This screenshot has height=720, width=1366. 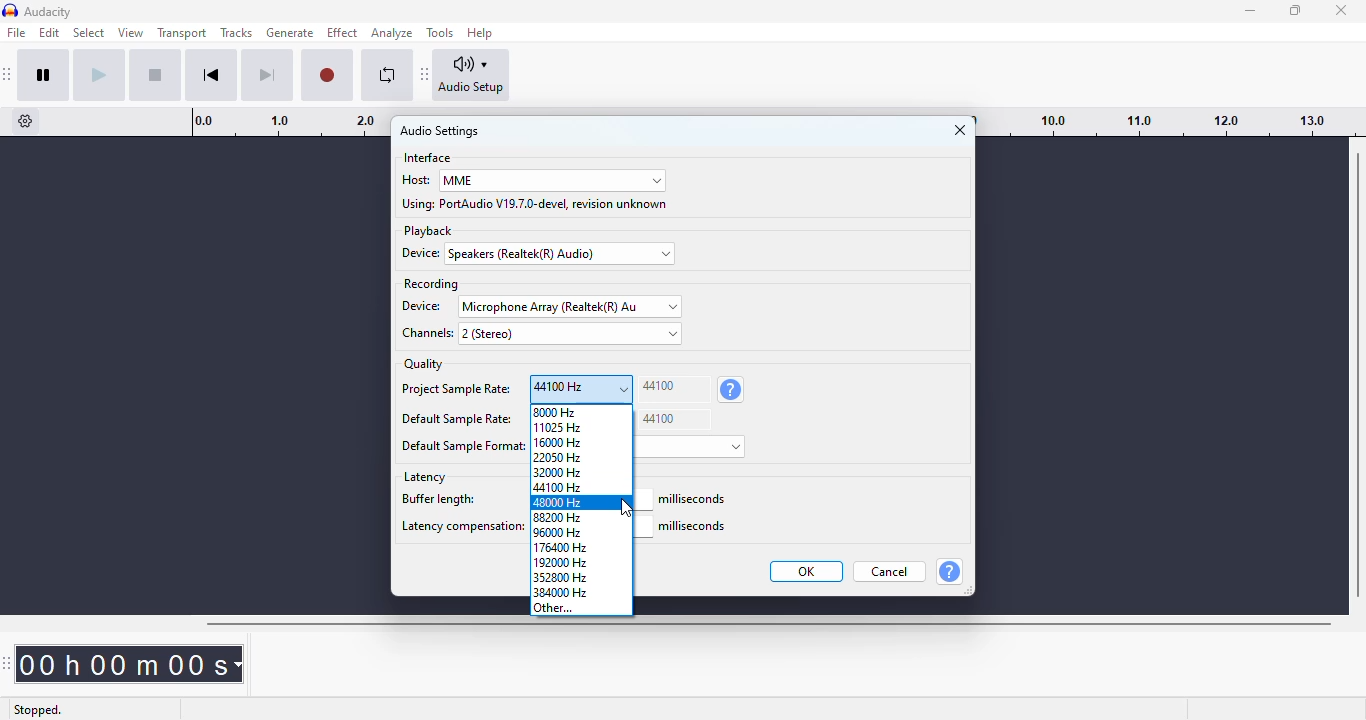 I want to click on cancel, so click(x=890, y=571).